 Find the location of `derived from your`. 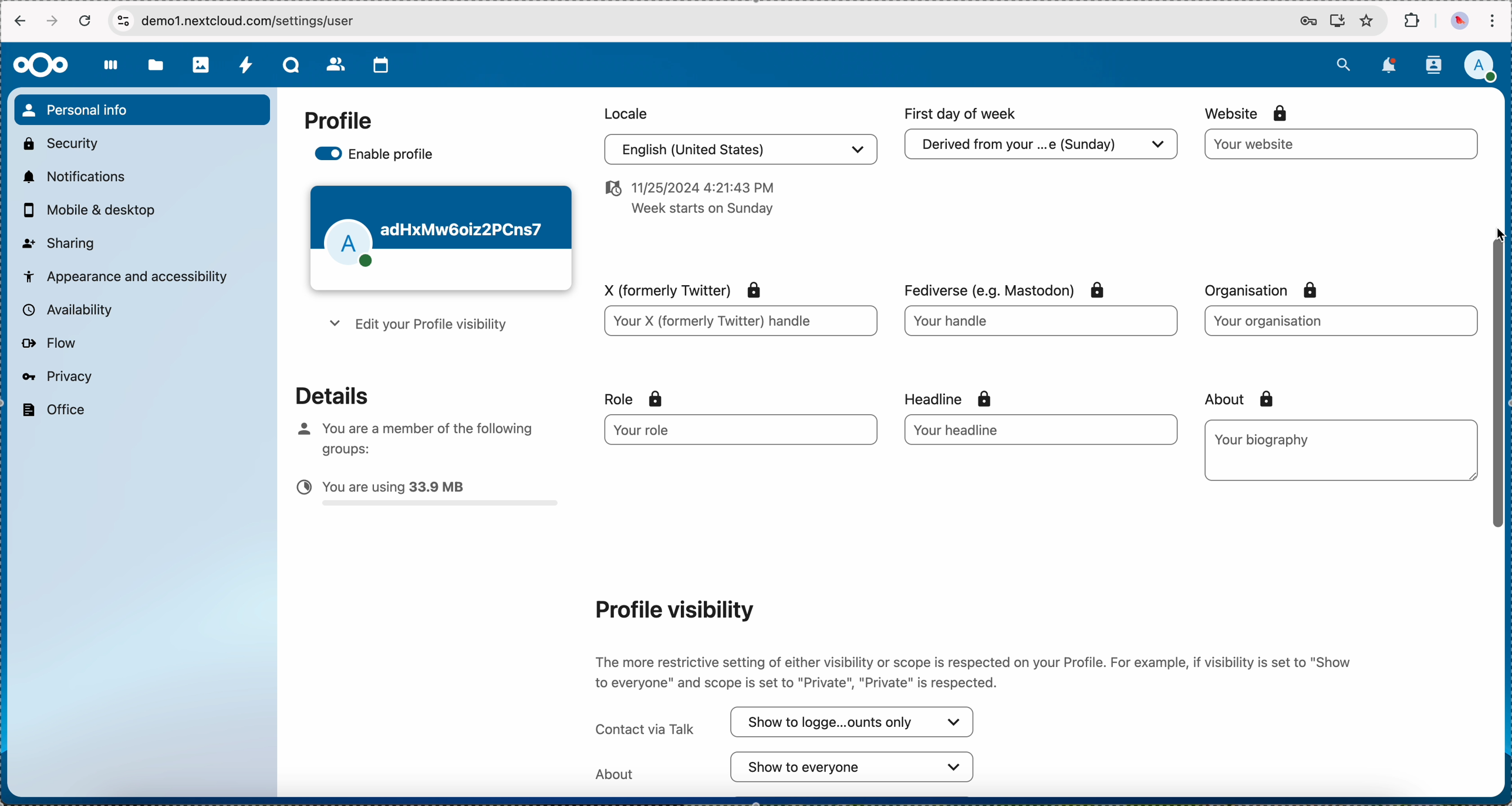

derived from your is located at coordinates (1038, 148).